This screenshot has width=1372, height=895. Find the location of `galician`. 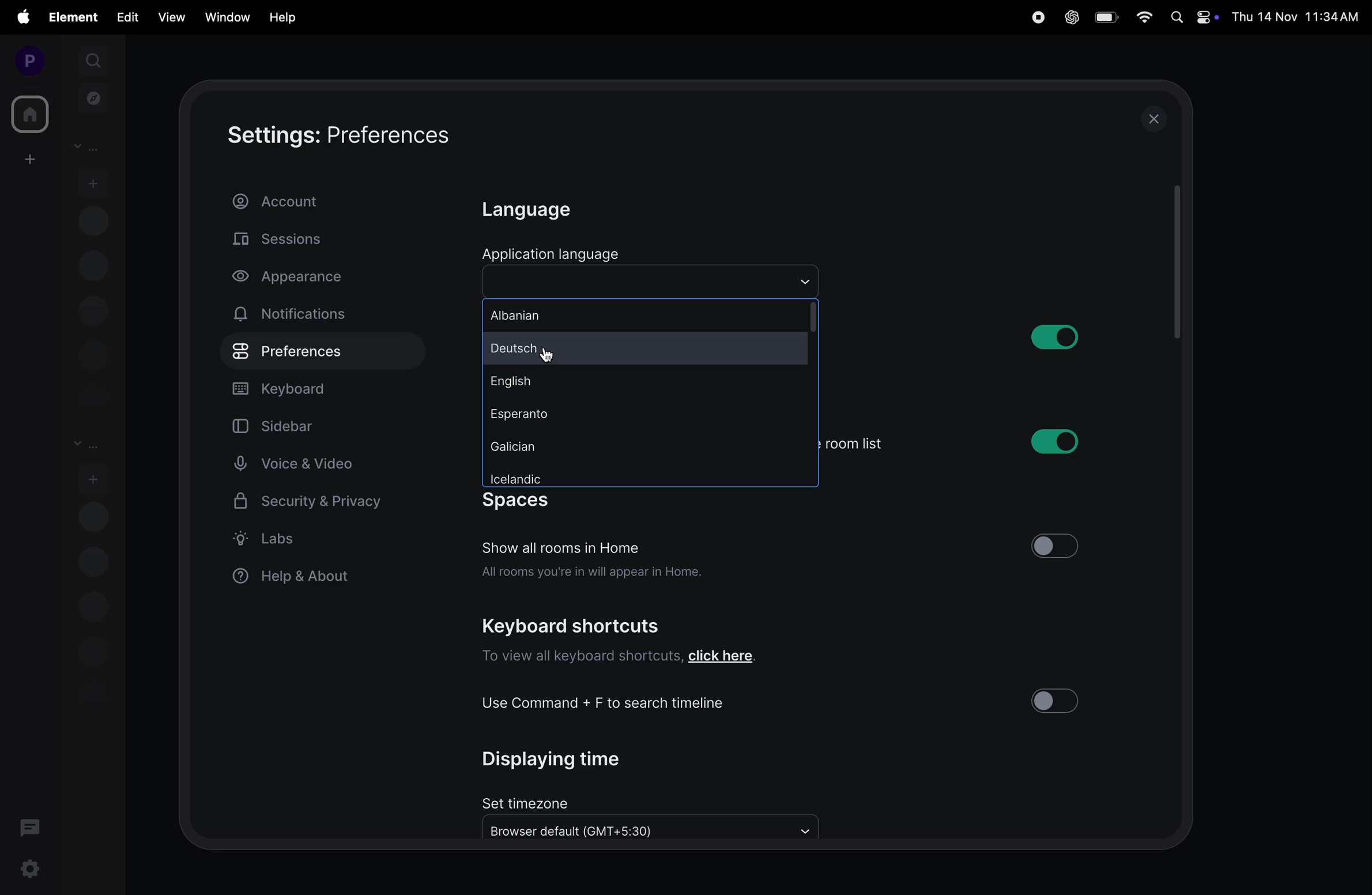

galician is located at coordinates (651, 447).